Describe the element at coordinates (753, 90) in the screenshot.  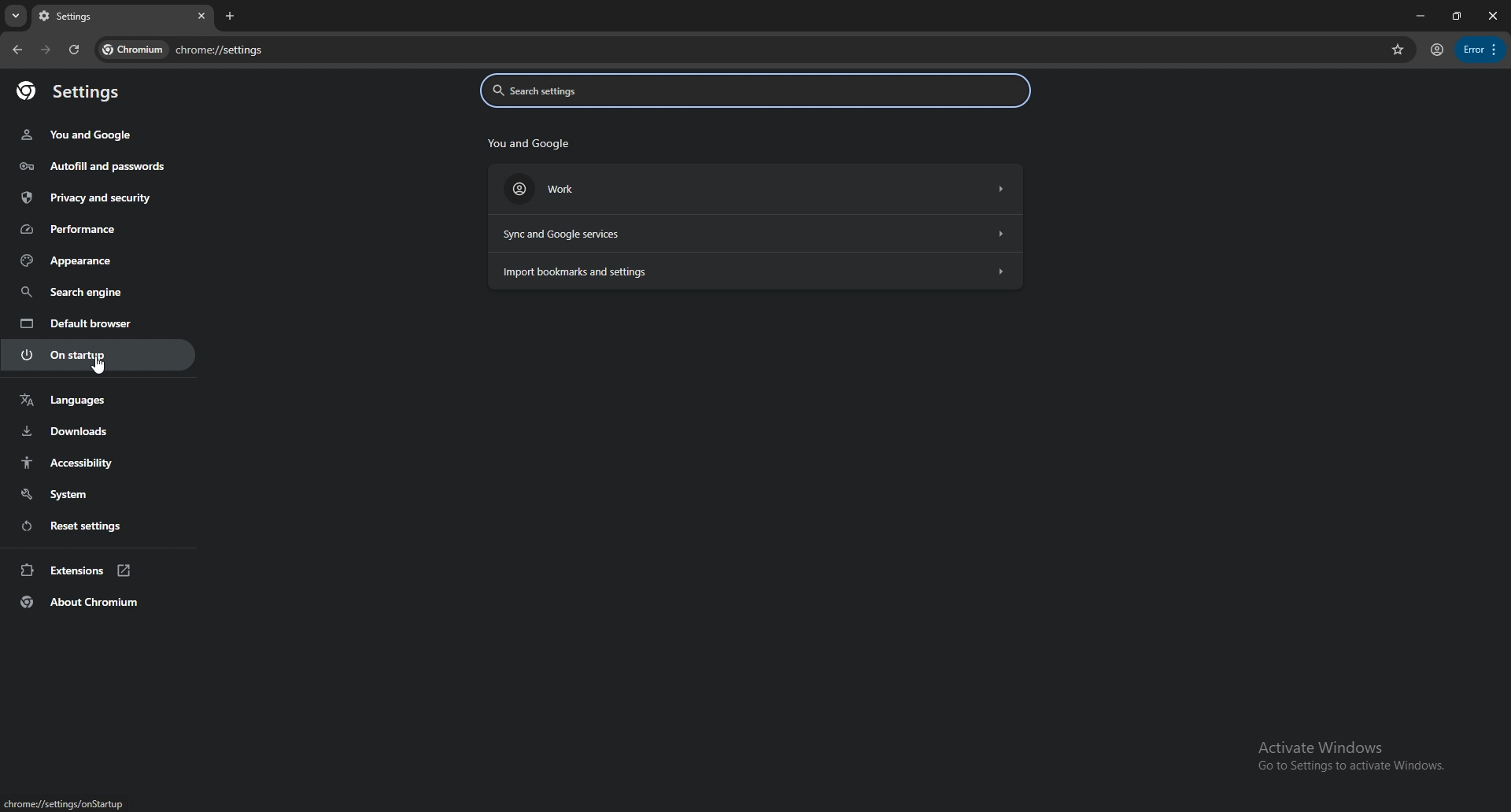
I see `search settings` at that location.